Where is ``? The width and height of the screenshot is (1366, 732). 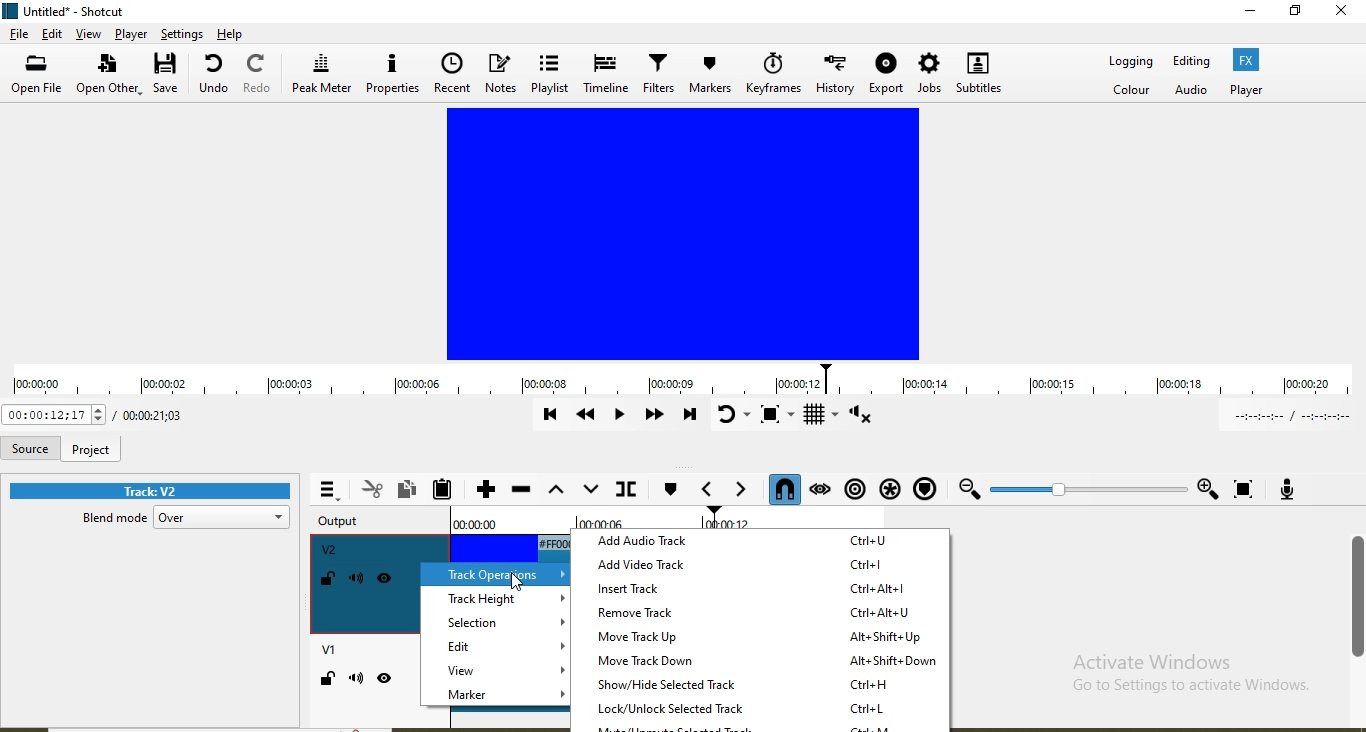
 is located at coordinates (332, 489).